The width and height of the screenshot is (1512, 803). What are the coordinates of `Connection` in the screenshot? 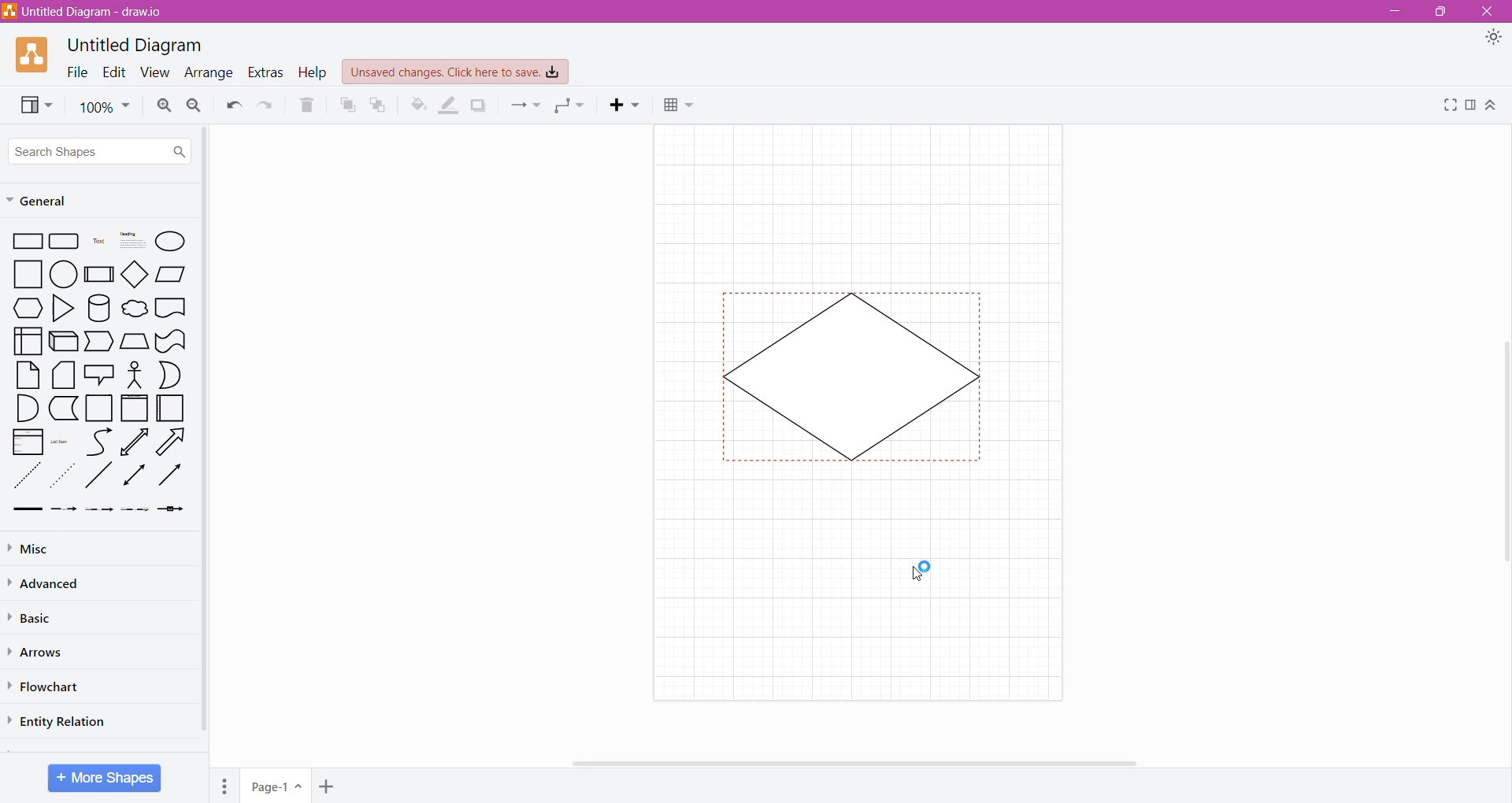 It's located at (526, 105).